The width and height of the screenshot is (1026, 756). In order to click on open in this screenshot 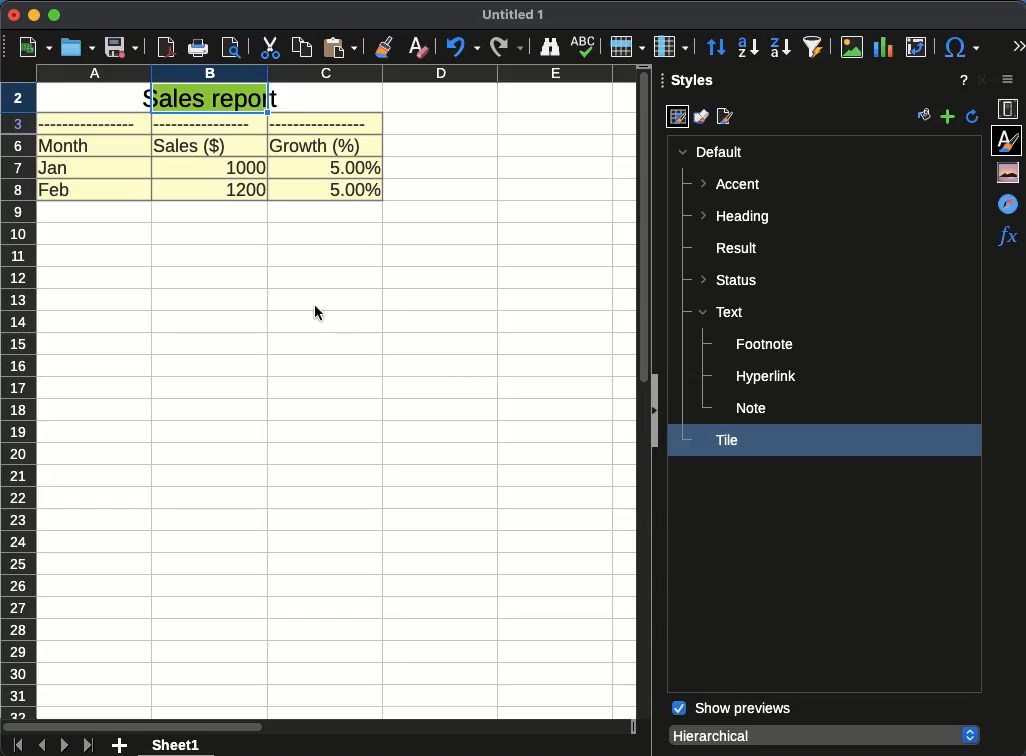, I will do `click(78, 48)`.